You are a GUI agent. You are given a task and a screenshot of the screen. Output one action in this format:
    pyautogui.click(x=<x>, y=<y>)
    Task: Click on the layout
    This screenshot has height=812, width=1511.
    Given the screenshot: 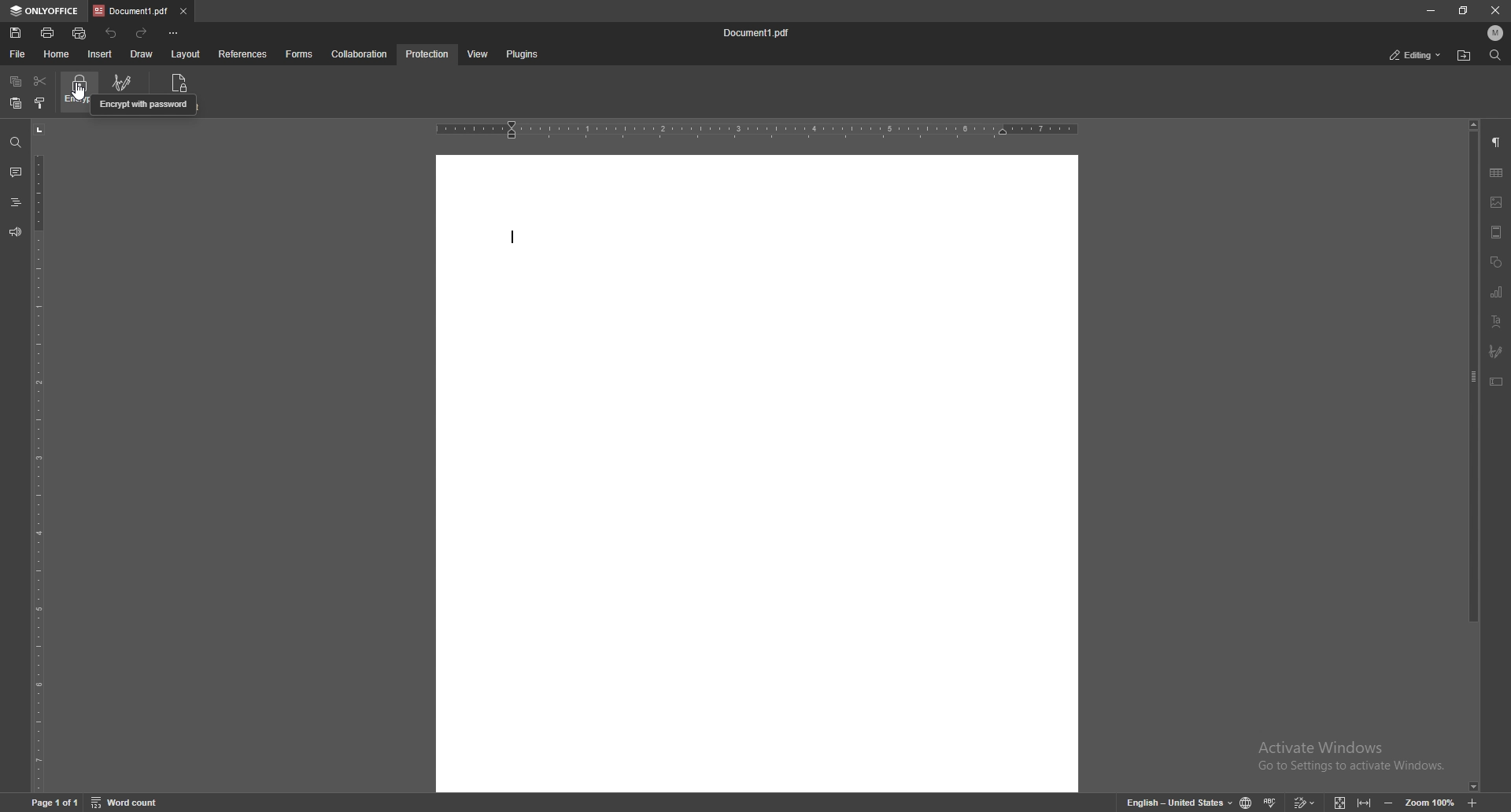 What is the action you would take?
    pyautogui.click(x=188, y=54)
    